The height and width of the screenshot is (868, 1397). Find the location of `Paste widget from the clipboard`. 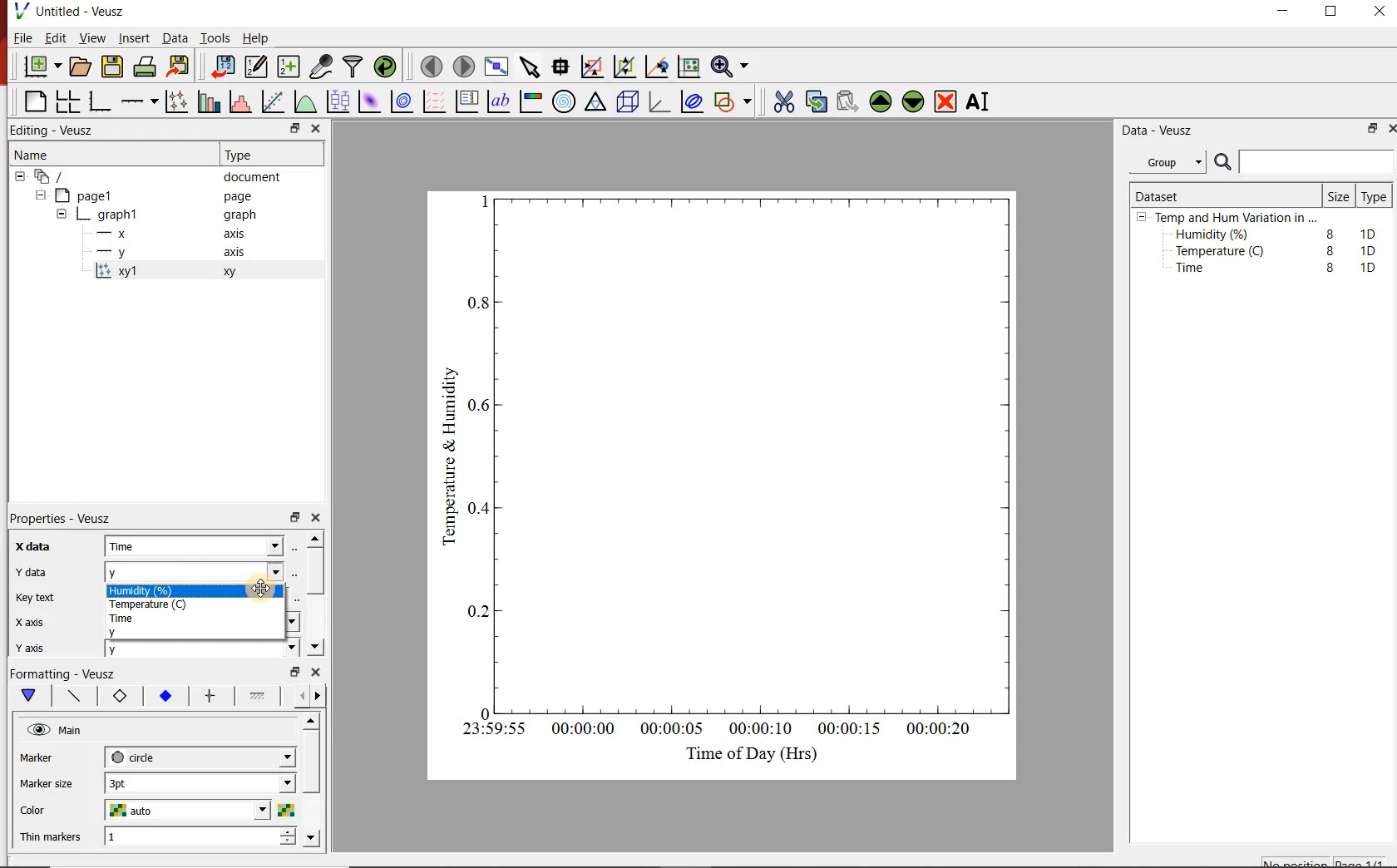

Paste widget from the clipboard is located at coordinates (848, 101).